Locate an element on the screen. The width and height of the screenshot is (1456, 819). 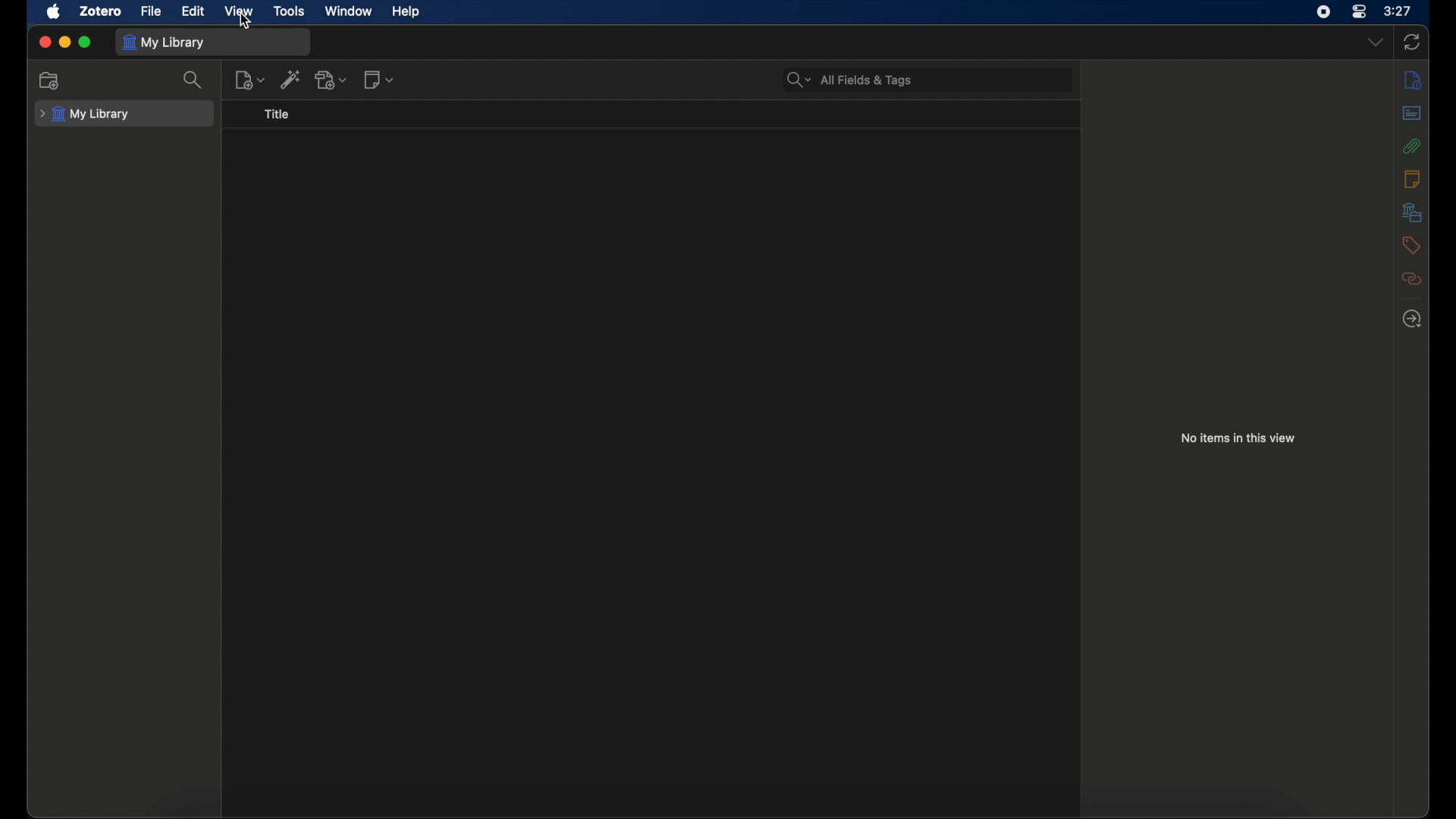
libraries is located at coordinates (1410, 212).